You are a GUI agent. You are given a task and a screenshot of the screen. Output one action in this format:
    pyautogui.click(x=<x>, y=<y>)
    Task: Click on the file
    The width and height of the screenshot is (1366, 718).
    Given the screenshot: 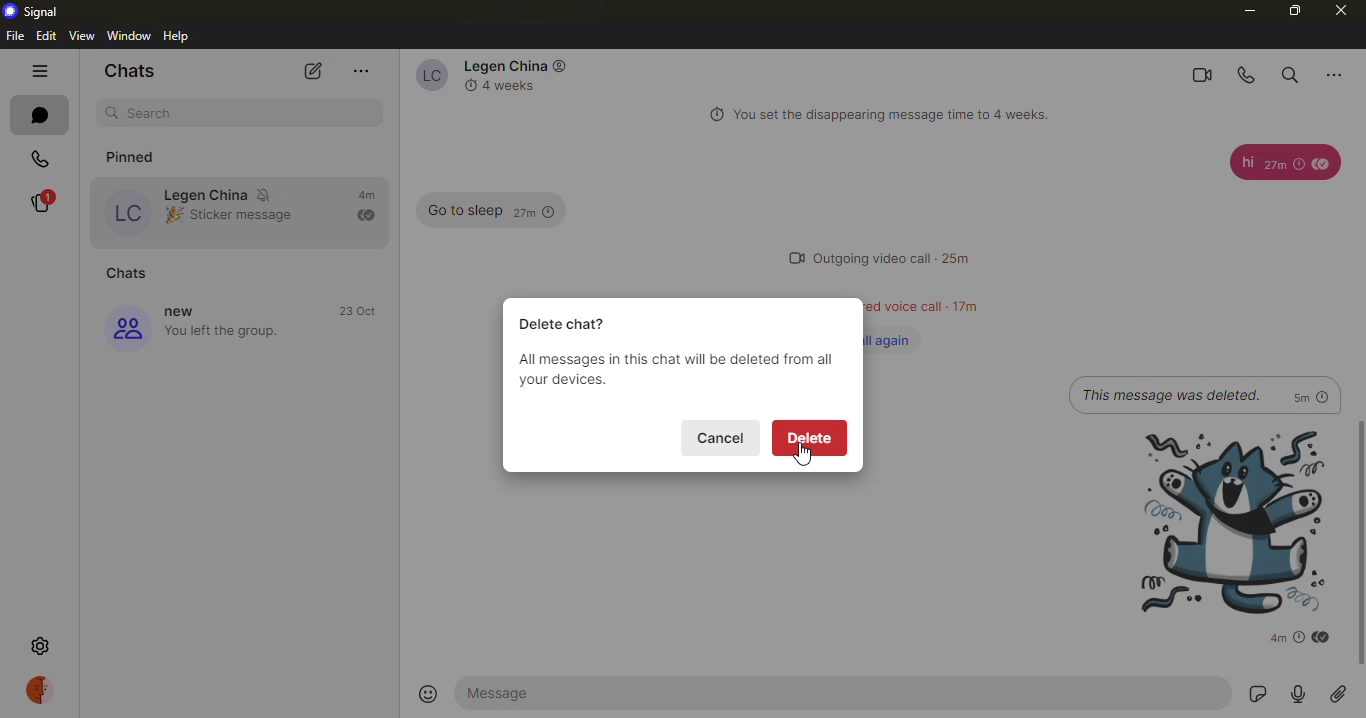 What is the action you would take?
    pyautogui.click(x=16, y=36)
    